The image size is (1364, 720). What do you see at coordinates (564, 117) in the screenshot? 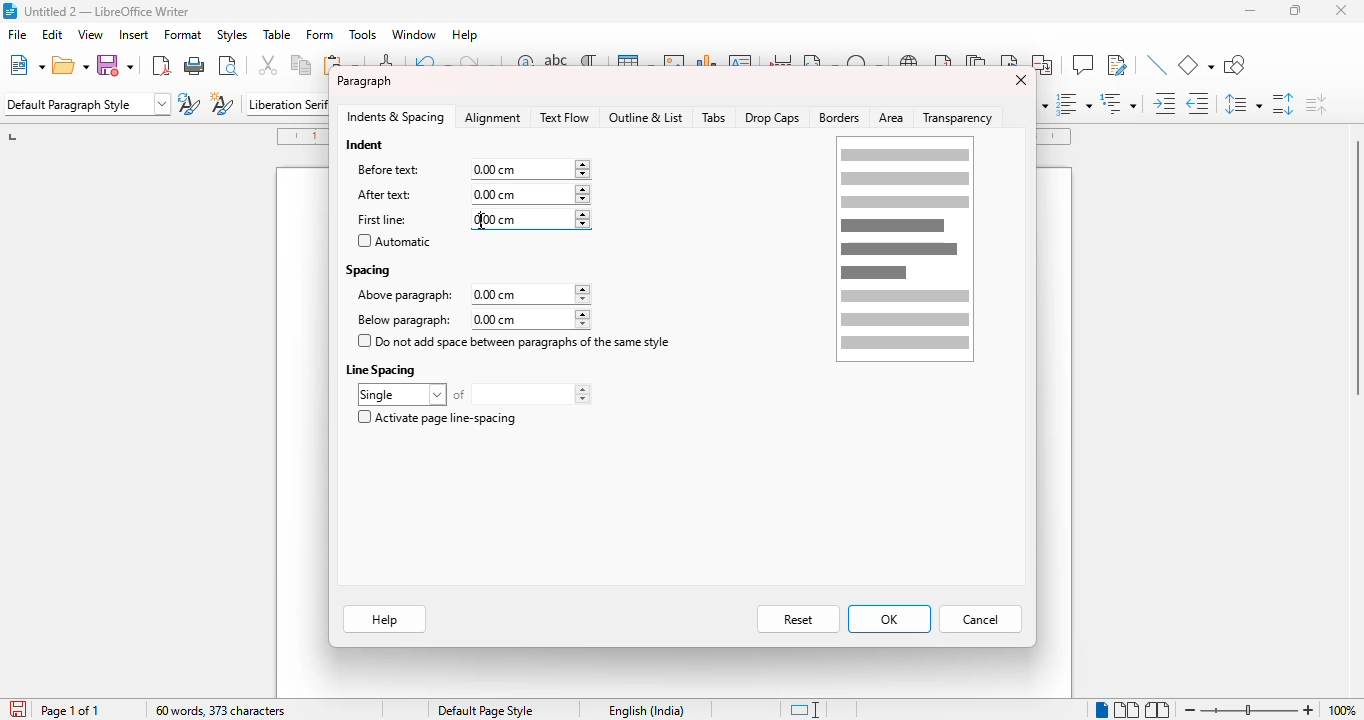
I see `text flow` at bounding box center [564, 117].